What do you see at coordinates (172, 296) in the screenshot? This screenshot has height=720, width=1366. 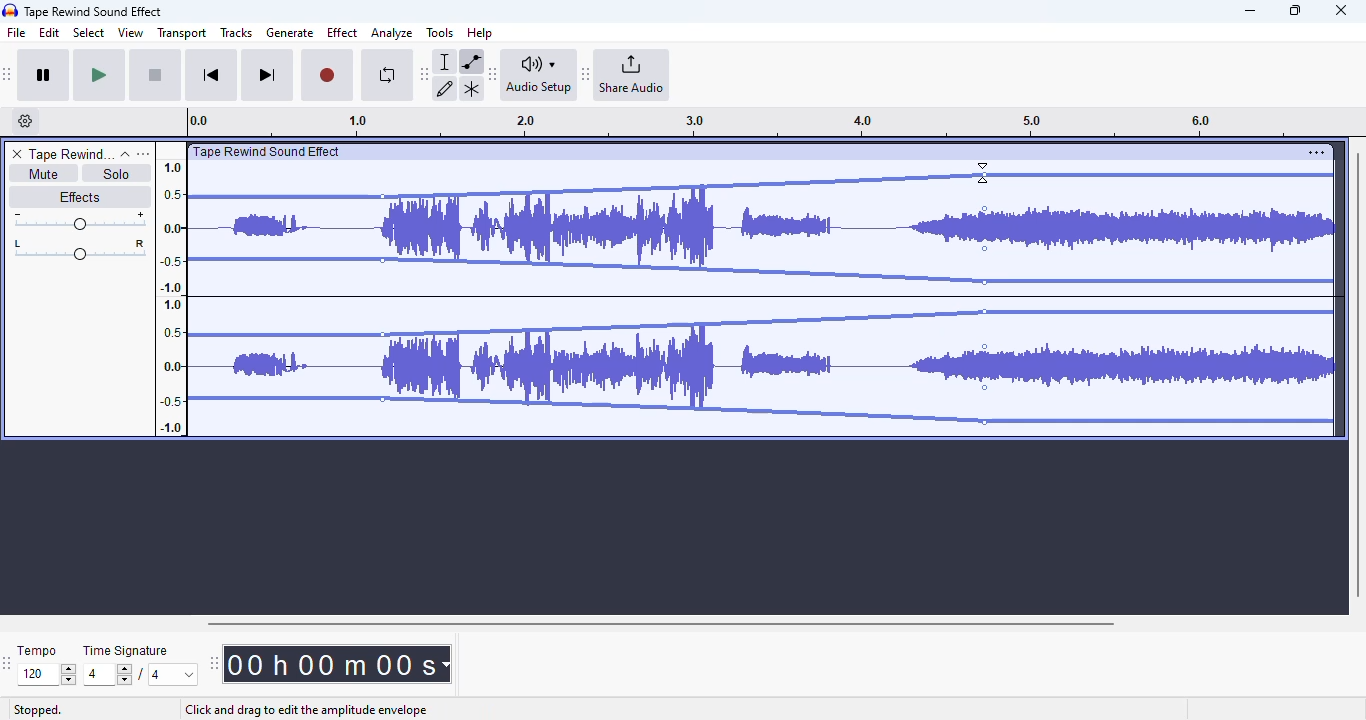 I see `Scale to measure sound intensity` at bounding box center [172, 296].